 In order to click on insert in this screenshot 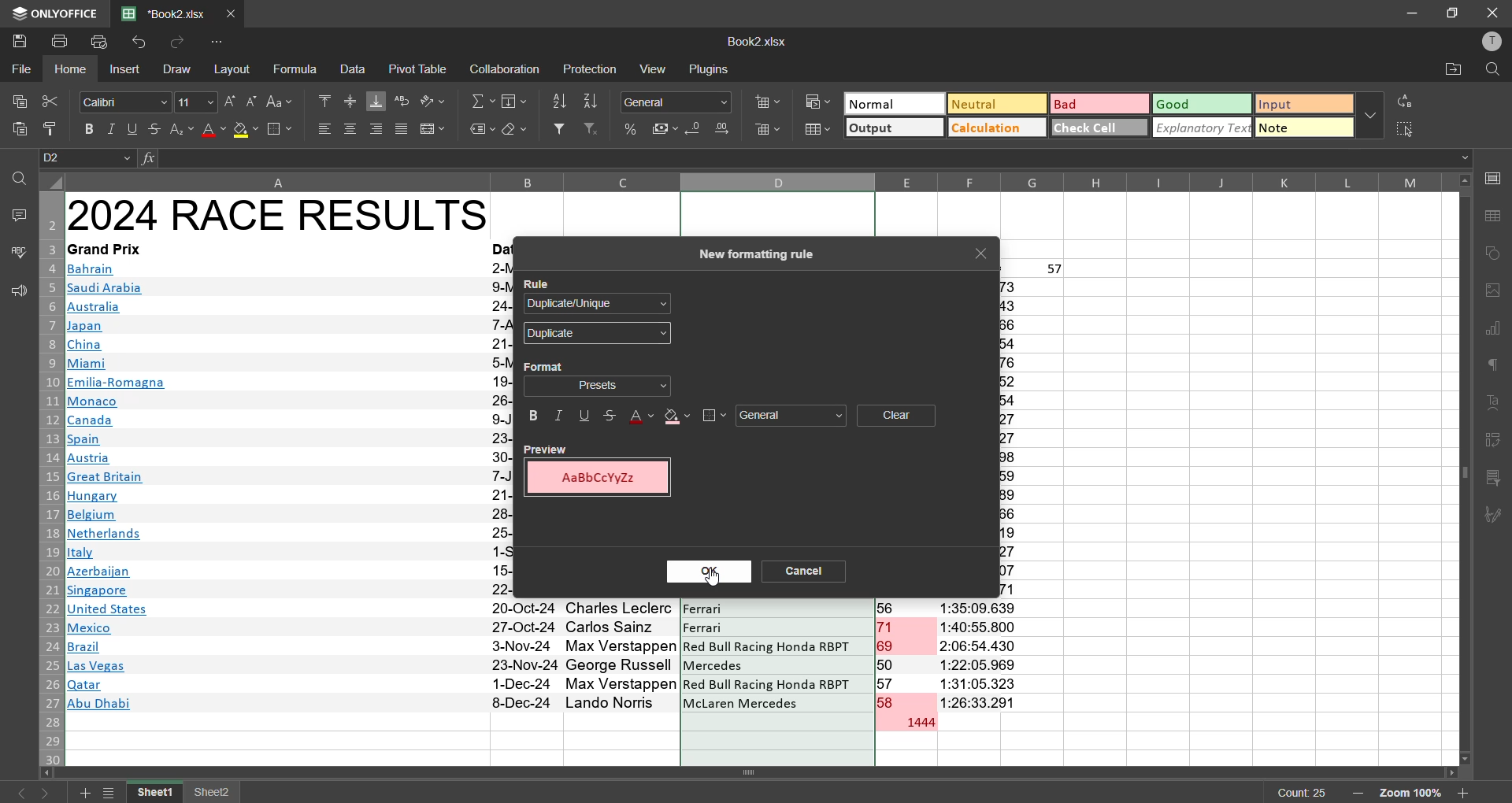, I will do `click(126, 71)`.